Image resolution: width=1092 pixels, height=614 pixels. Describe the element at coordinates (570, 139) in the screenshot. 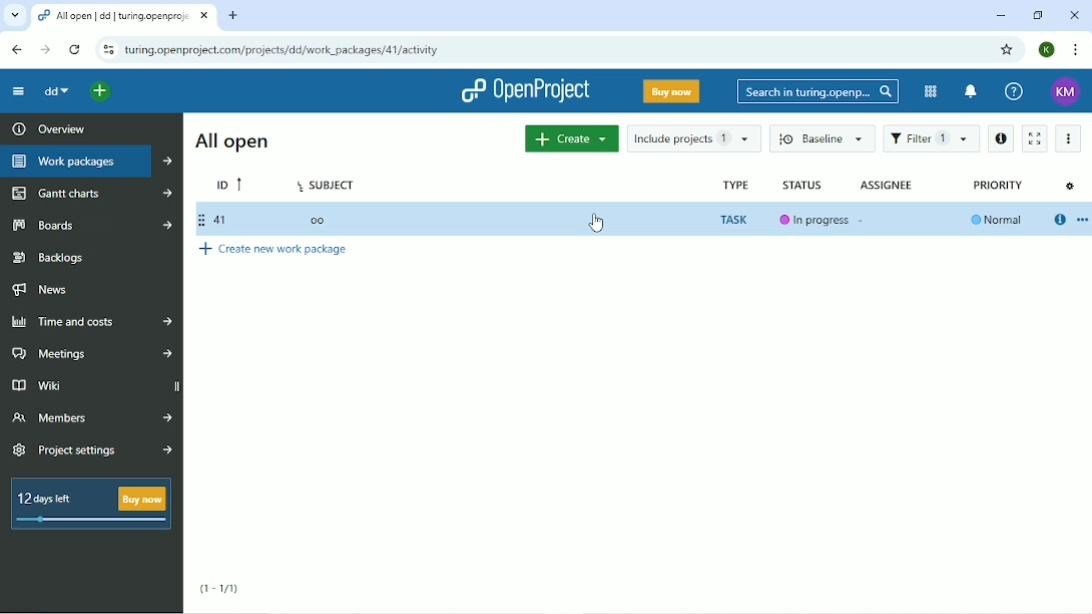

I see `Create` at that location.